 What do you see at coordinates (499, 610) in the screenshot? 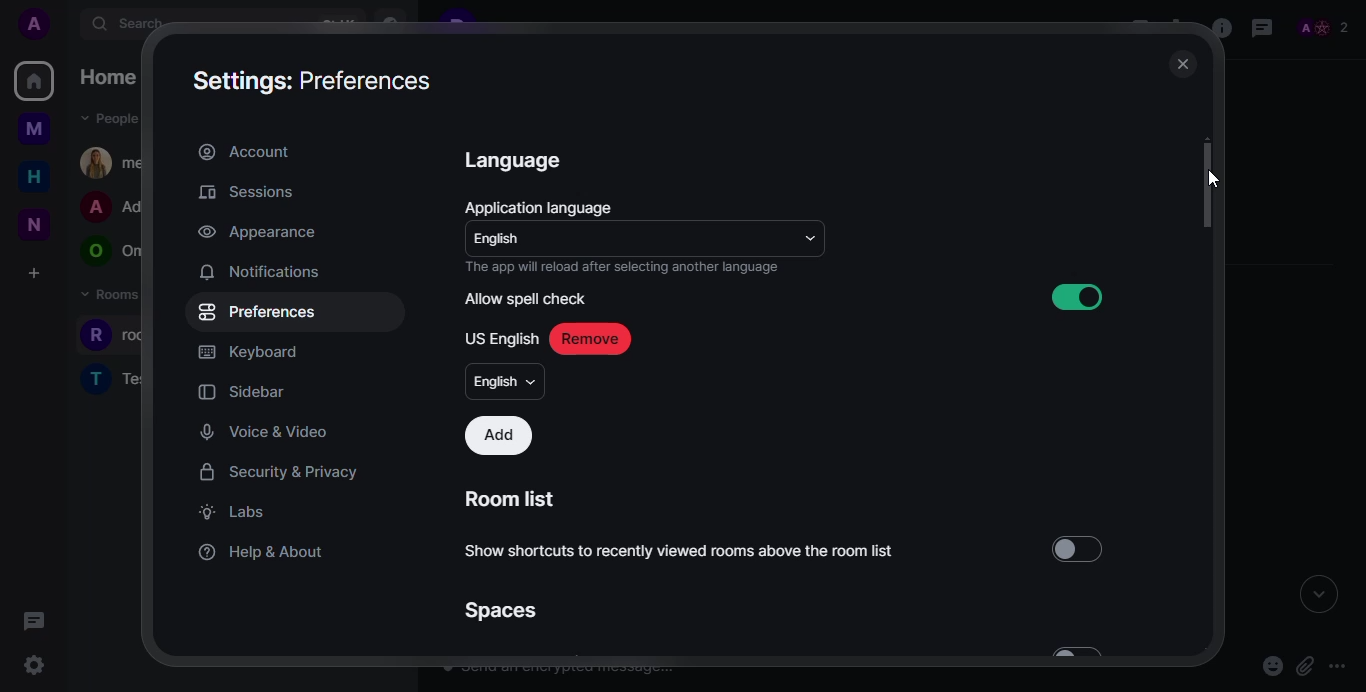
I see `spaces` at bounding box center [499, 610].